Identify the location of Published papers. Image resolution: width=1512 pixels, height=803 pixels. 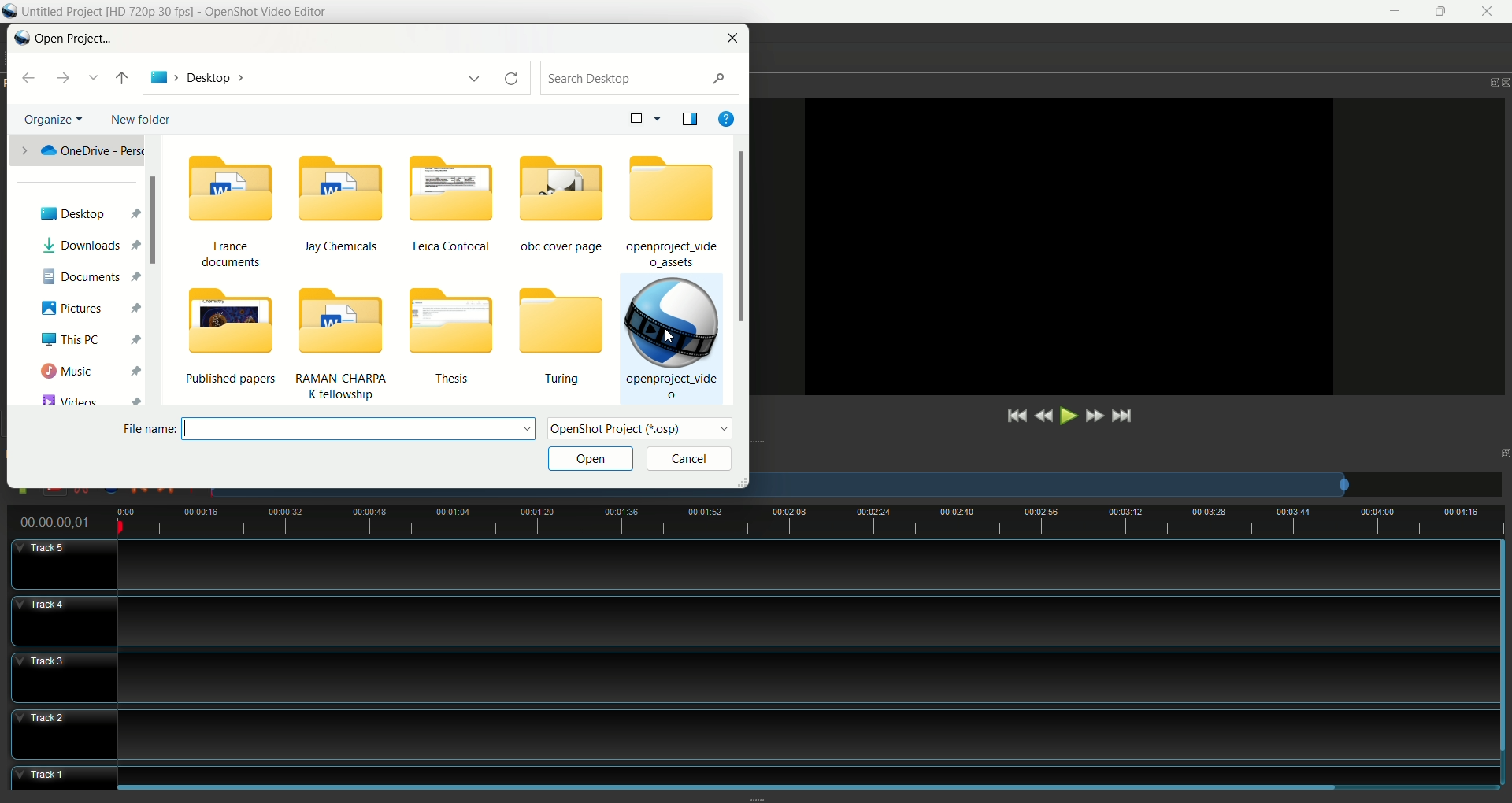
(233, 342).